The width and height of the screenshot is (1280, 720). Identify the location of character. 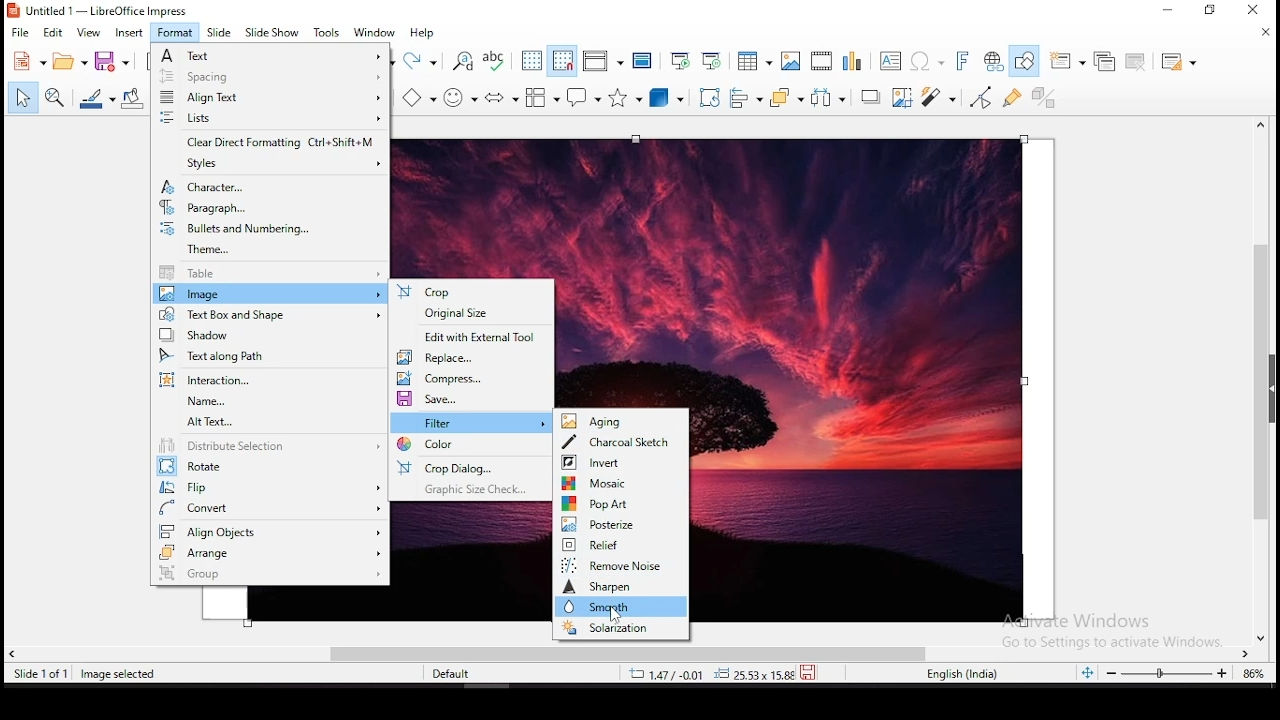
(268, 186).